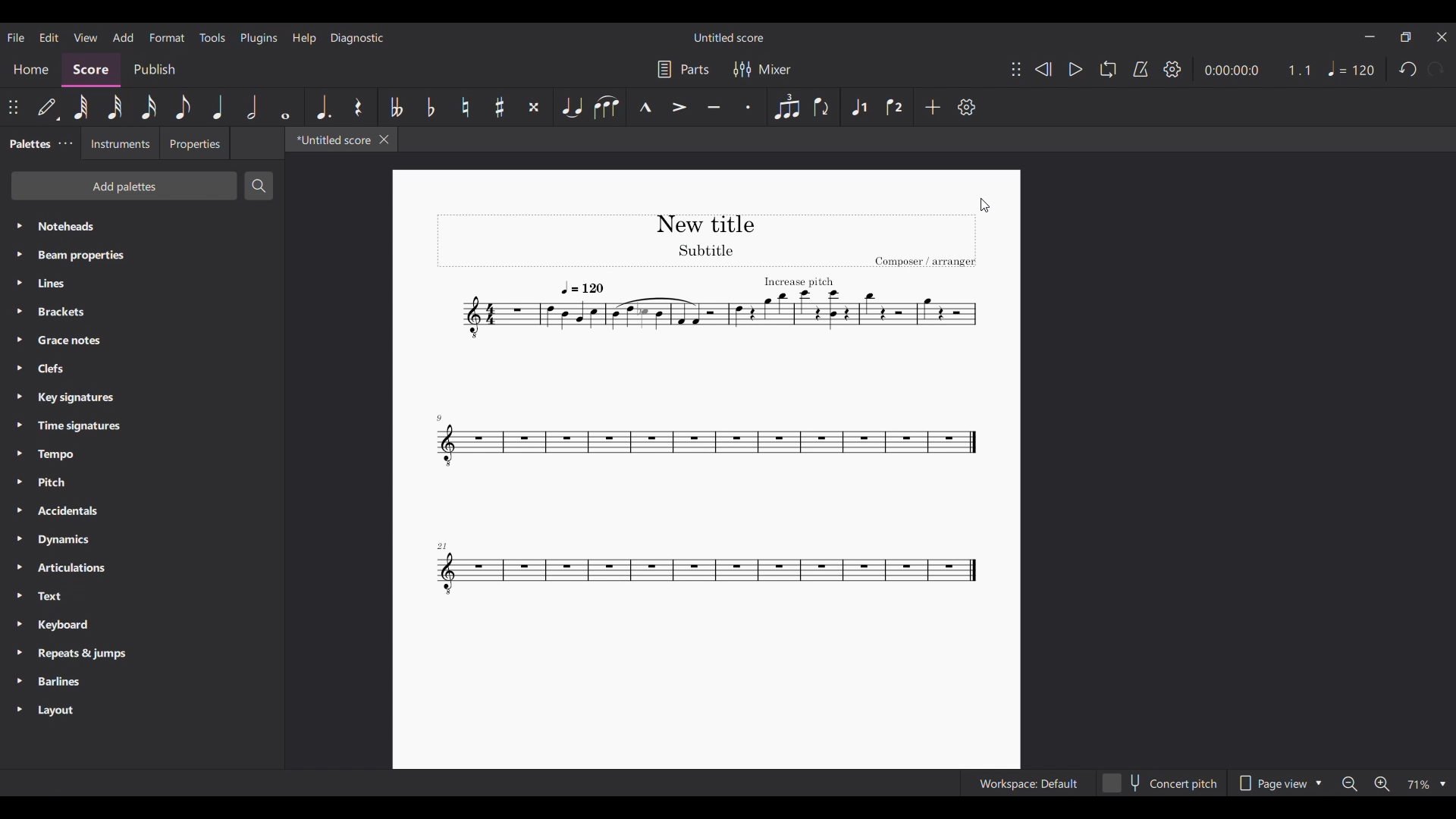 This screenshot has width=1456, height=819. I want to click on Settings, so click(1172, 69).